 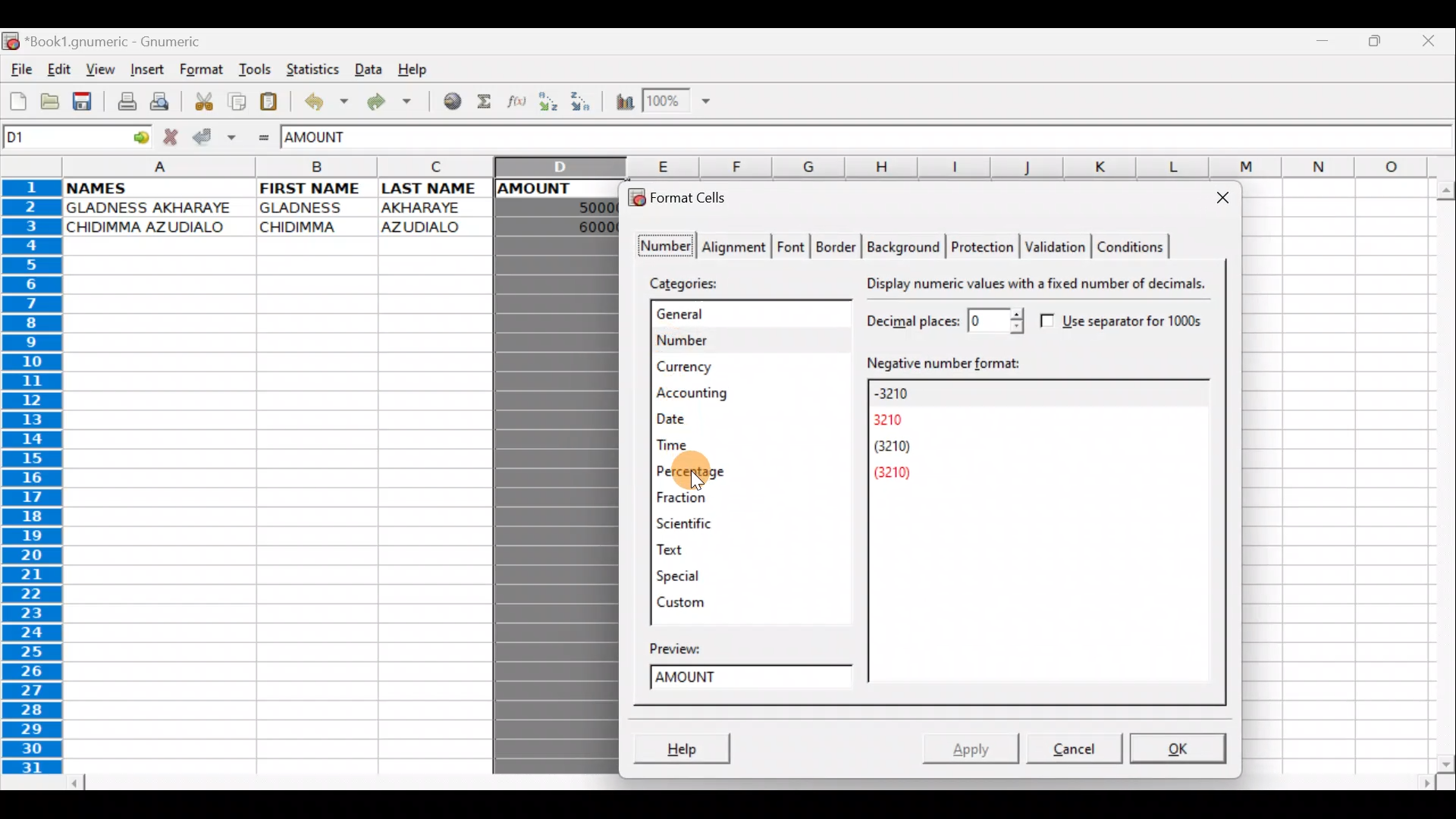 What do you see at coordinates (313, 188) in the screenshot?
I see `FIRST NAME` at bounding box center [313, 188].